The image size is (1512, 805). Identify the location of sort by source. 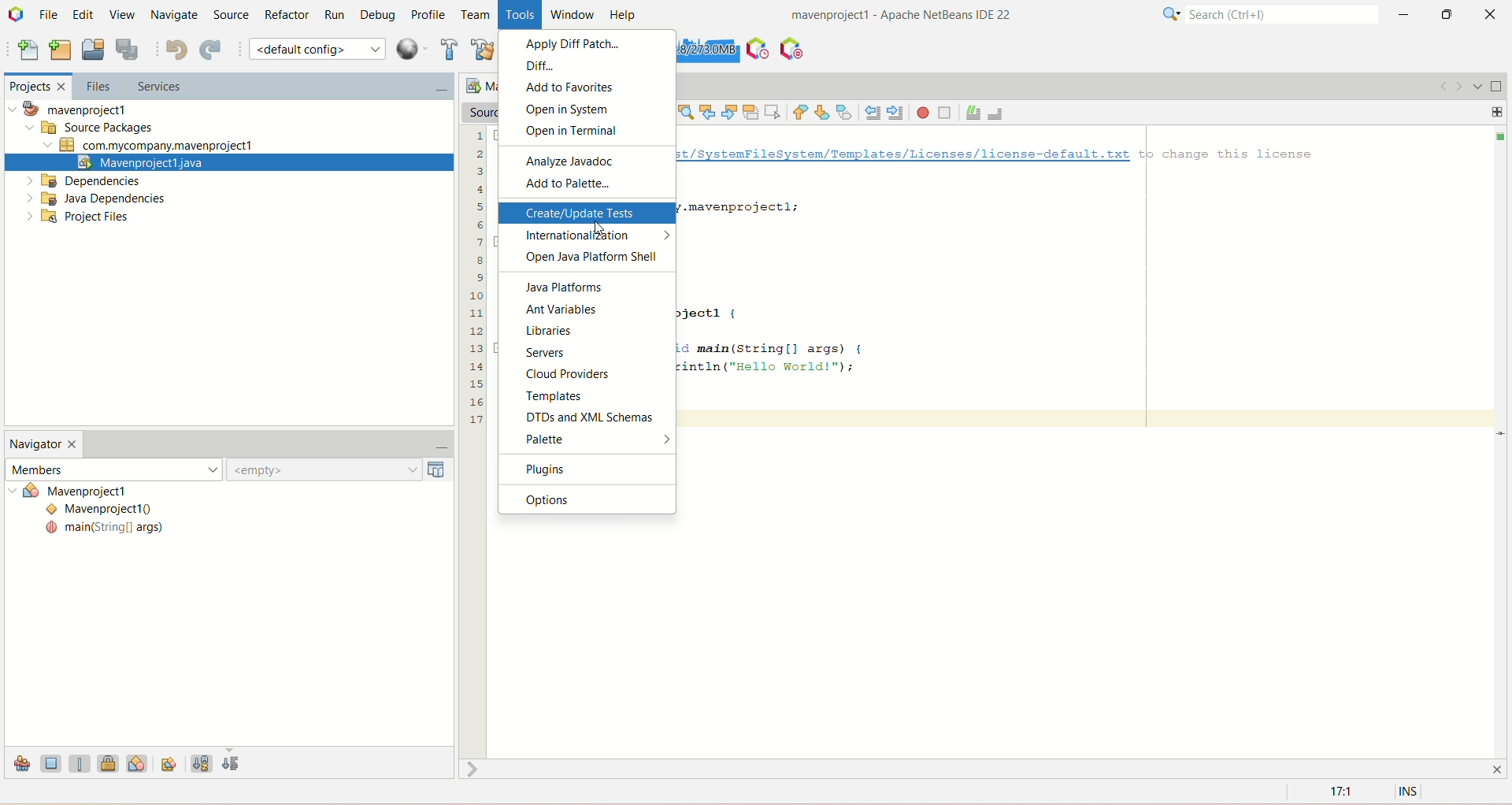
(232, 765).